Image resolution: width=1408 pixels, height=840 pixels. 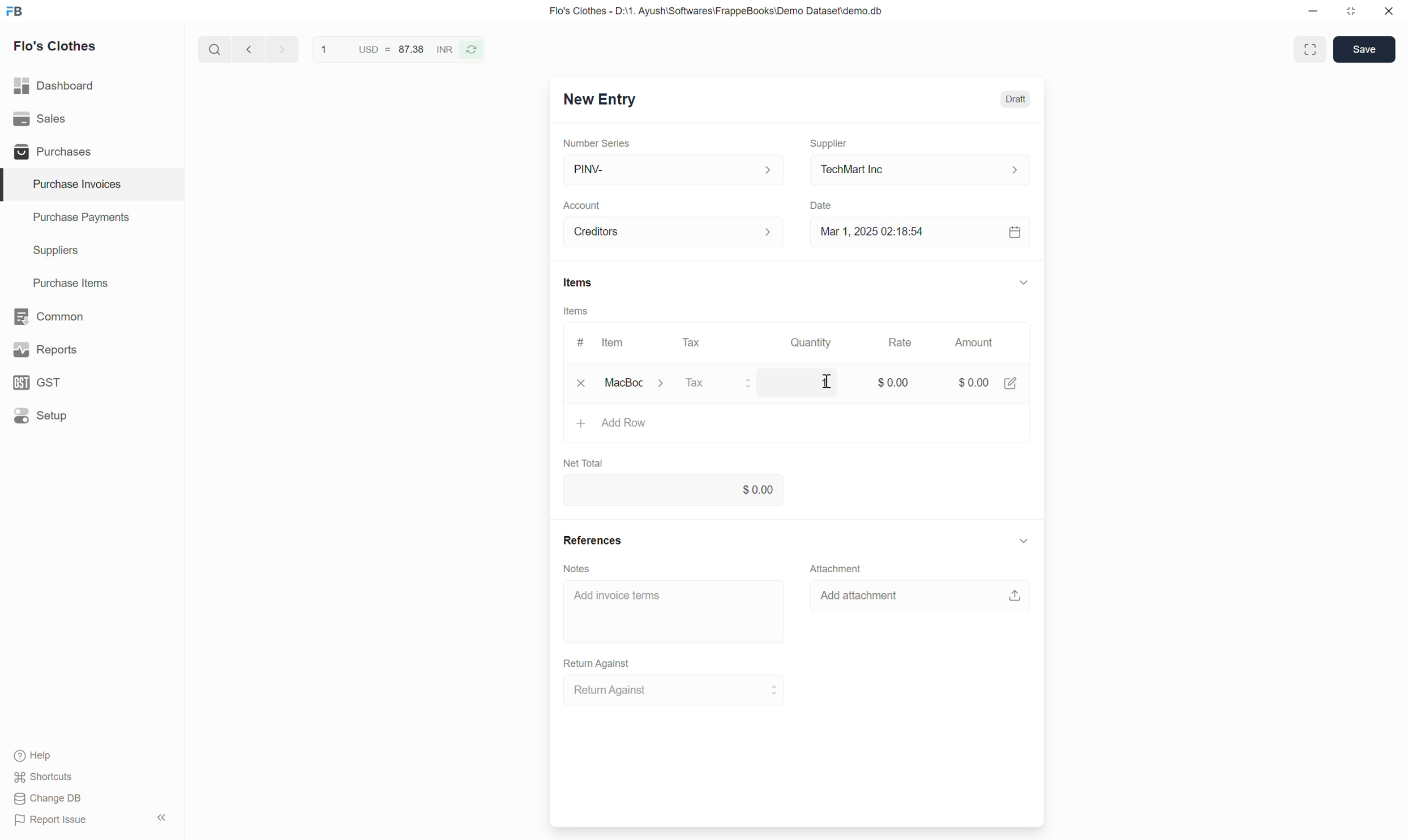 I want to click on Quantity, so click(x=809, y=342).